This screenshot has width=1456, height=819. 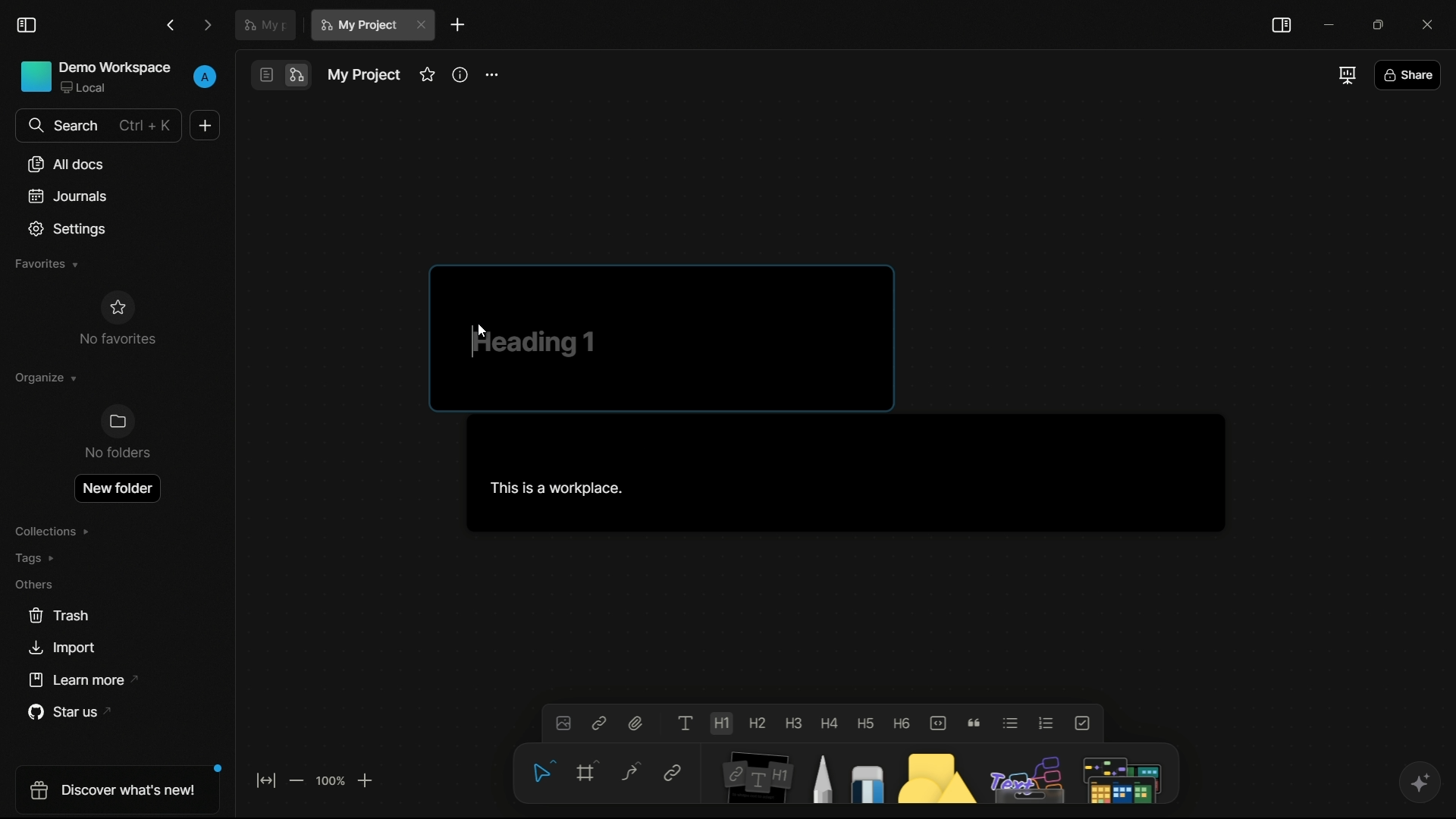 What do you see at coordinates (61, 647) in the screenshot?
I see `import` at bounding box center [61, 647].